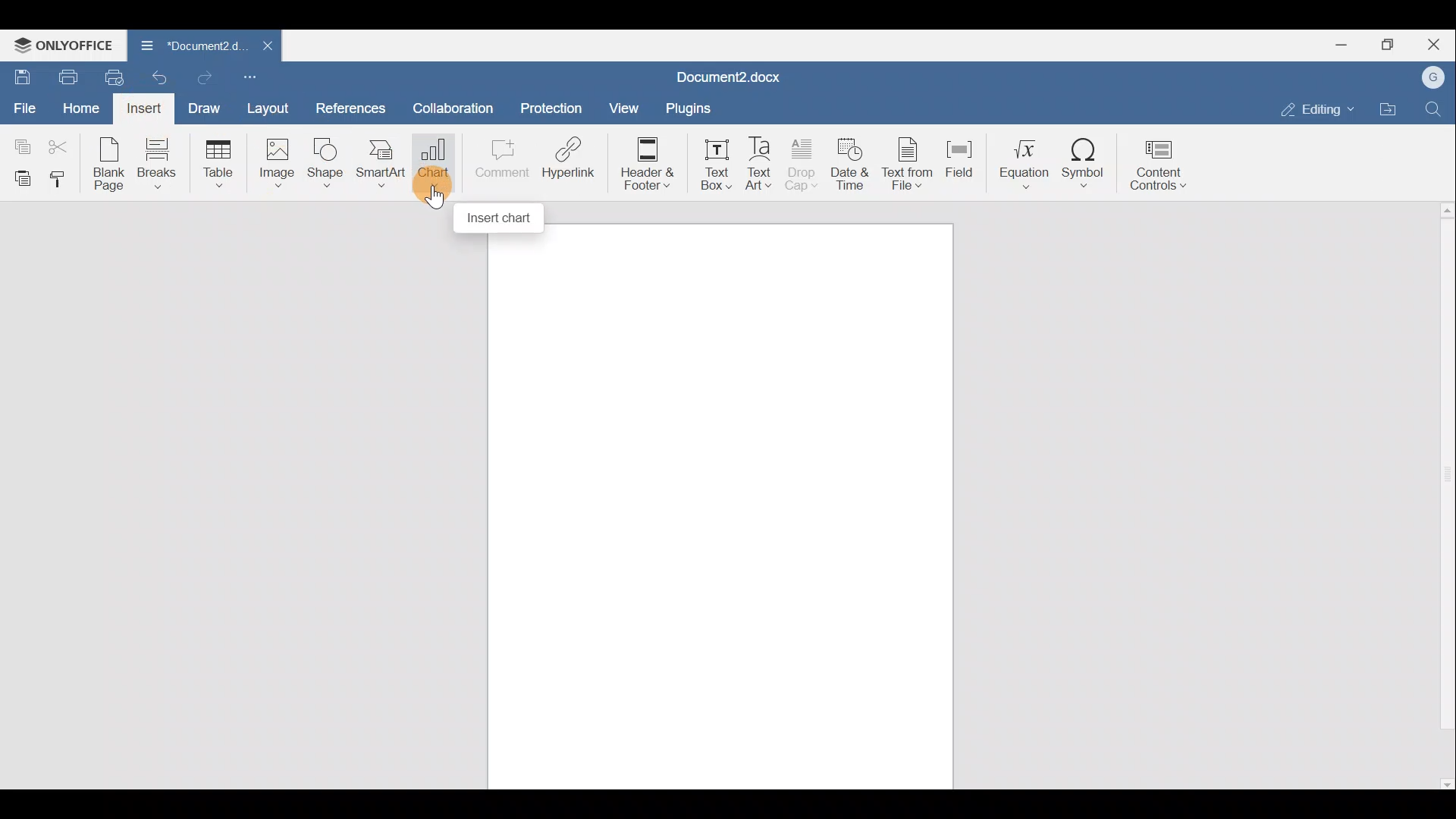  I want to click on Insert, so click(149, 108).